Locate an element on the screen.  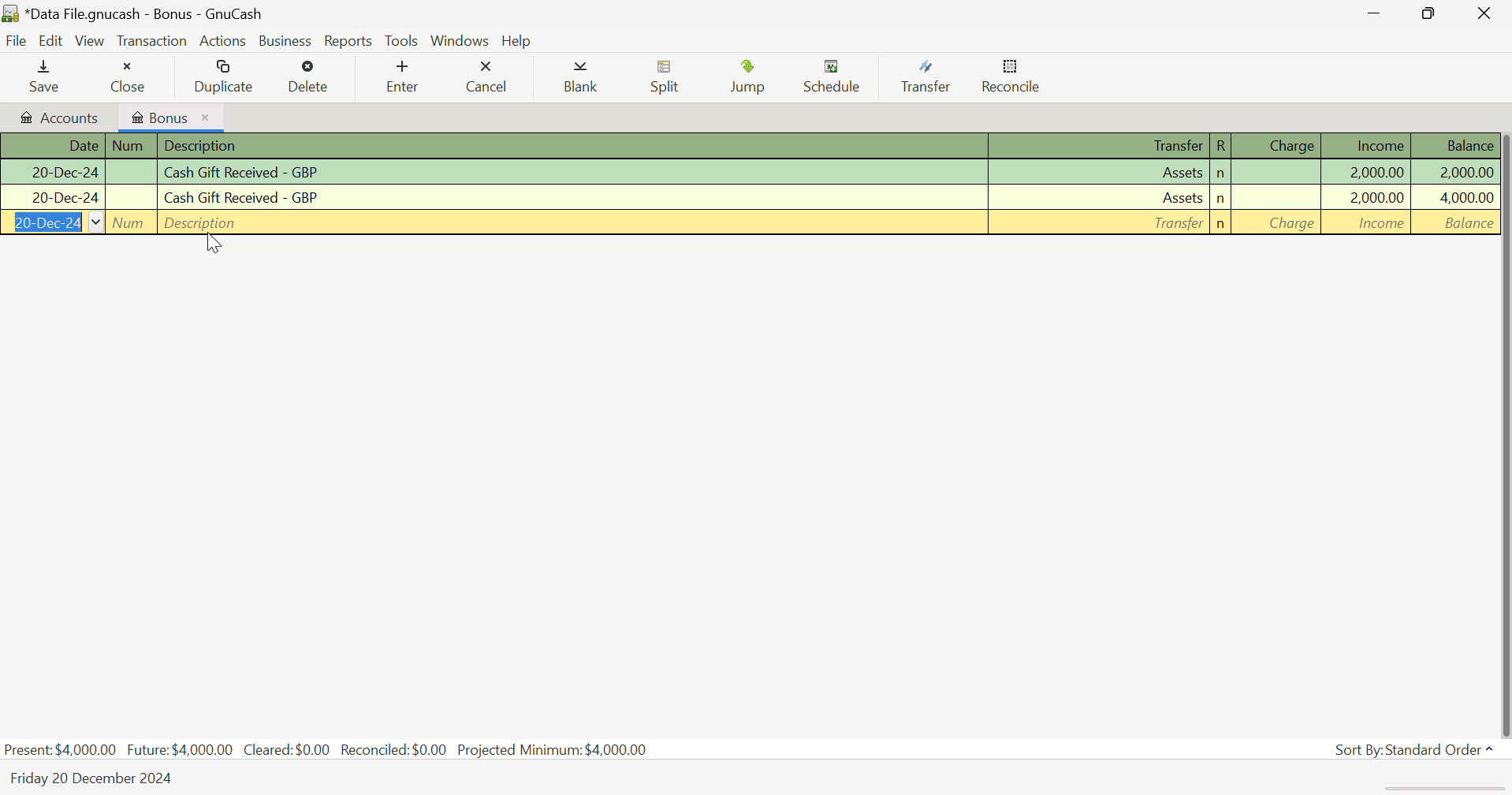
Jump is located at coordinates (753, 77).